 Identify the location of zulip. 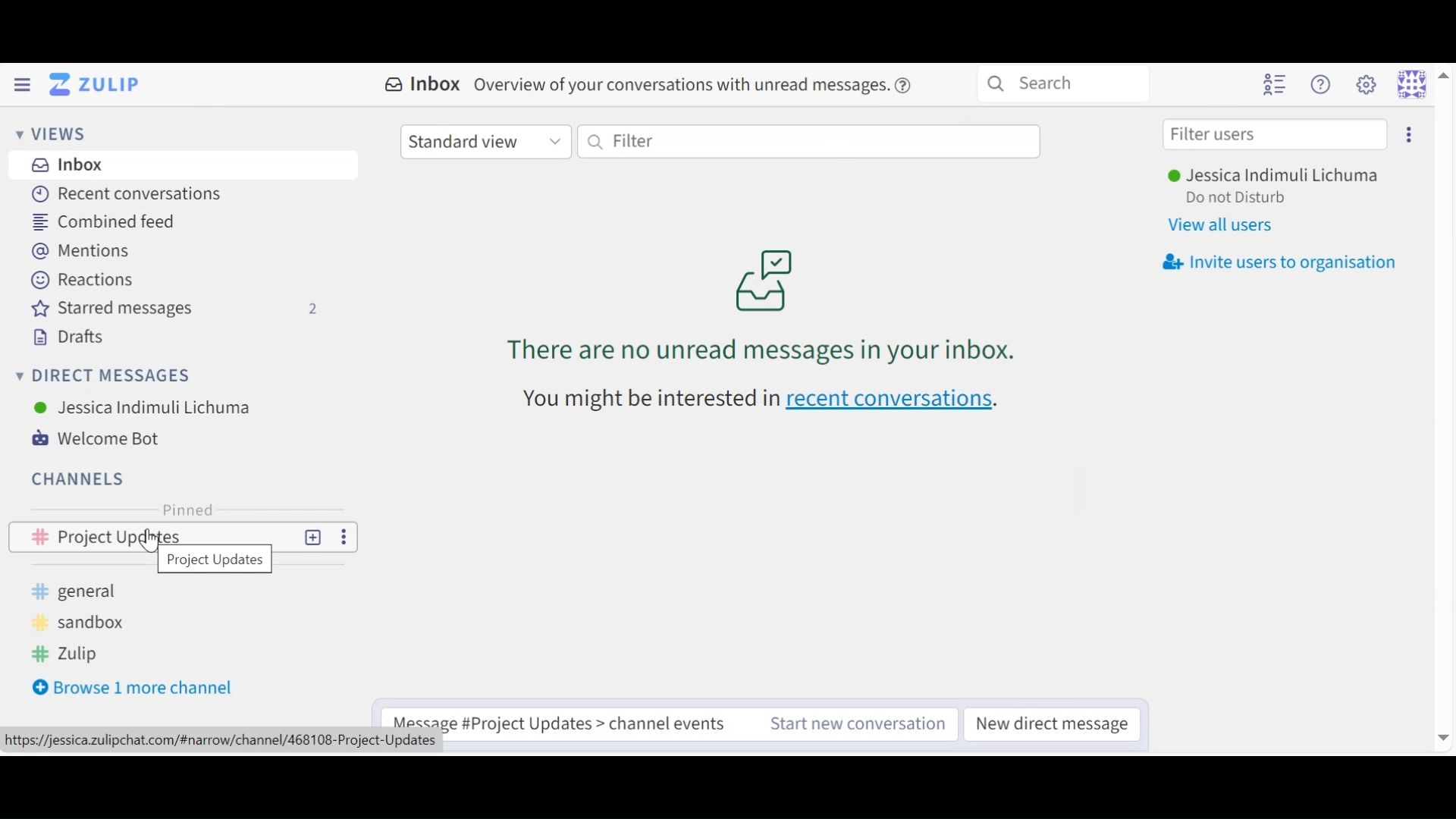
(64, 653).